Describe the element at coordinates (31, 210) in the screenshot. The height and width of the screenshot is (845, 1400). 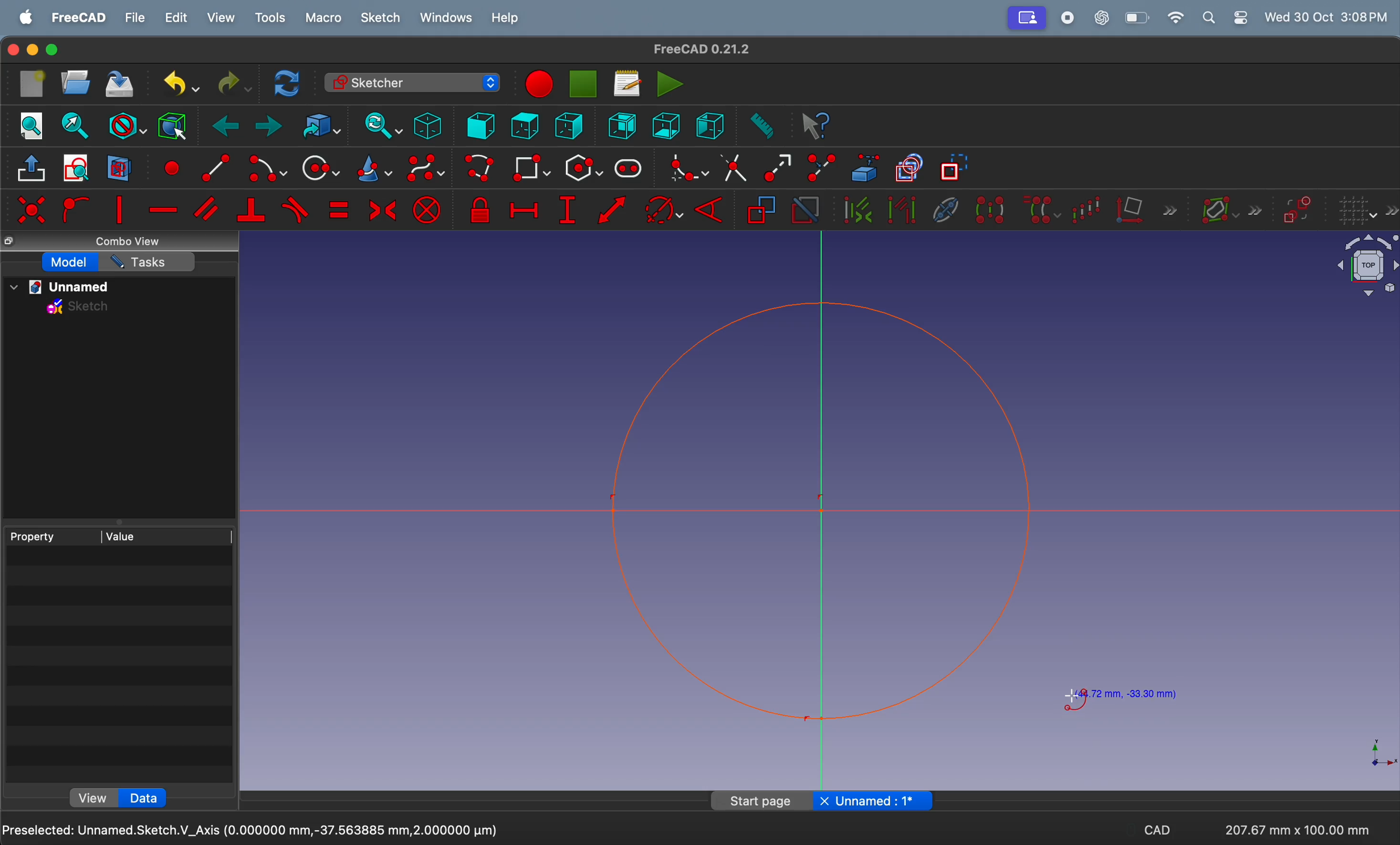
I see `constrain co incident` at that location.